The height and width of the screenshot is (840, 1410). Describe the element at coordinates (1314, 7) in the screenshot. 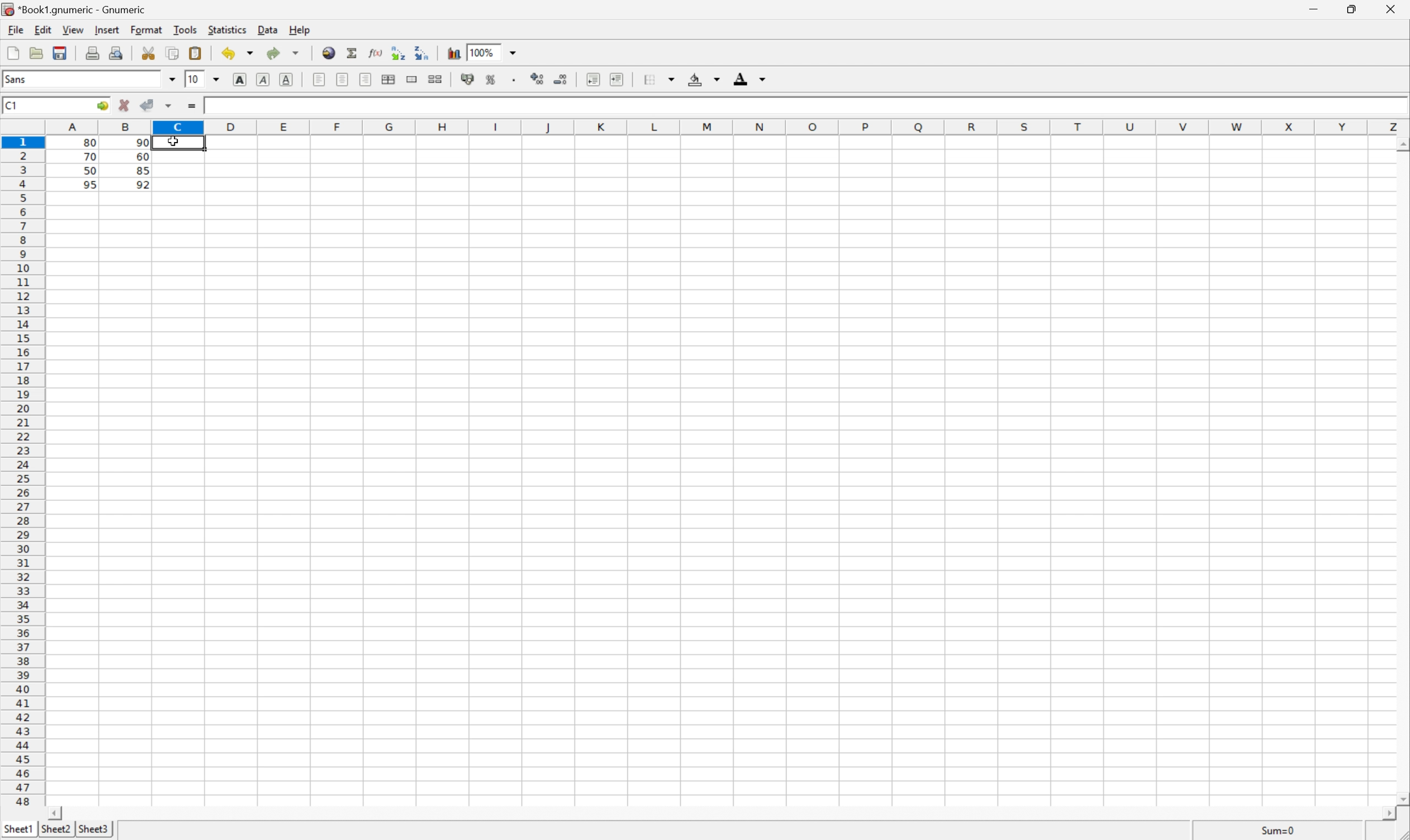

I see `Minimize` at that location.